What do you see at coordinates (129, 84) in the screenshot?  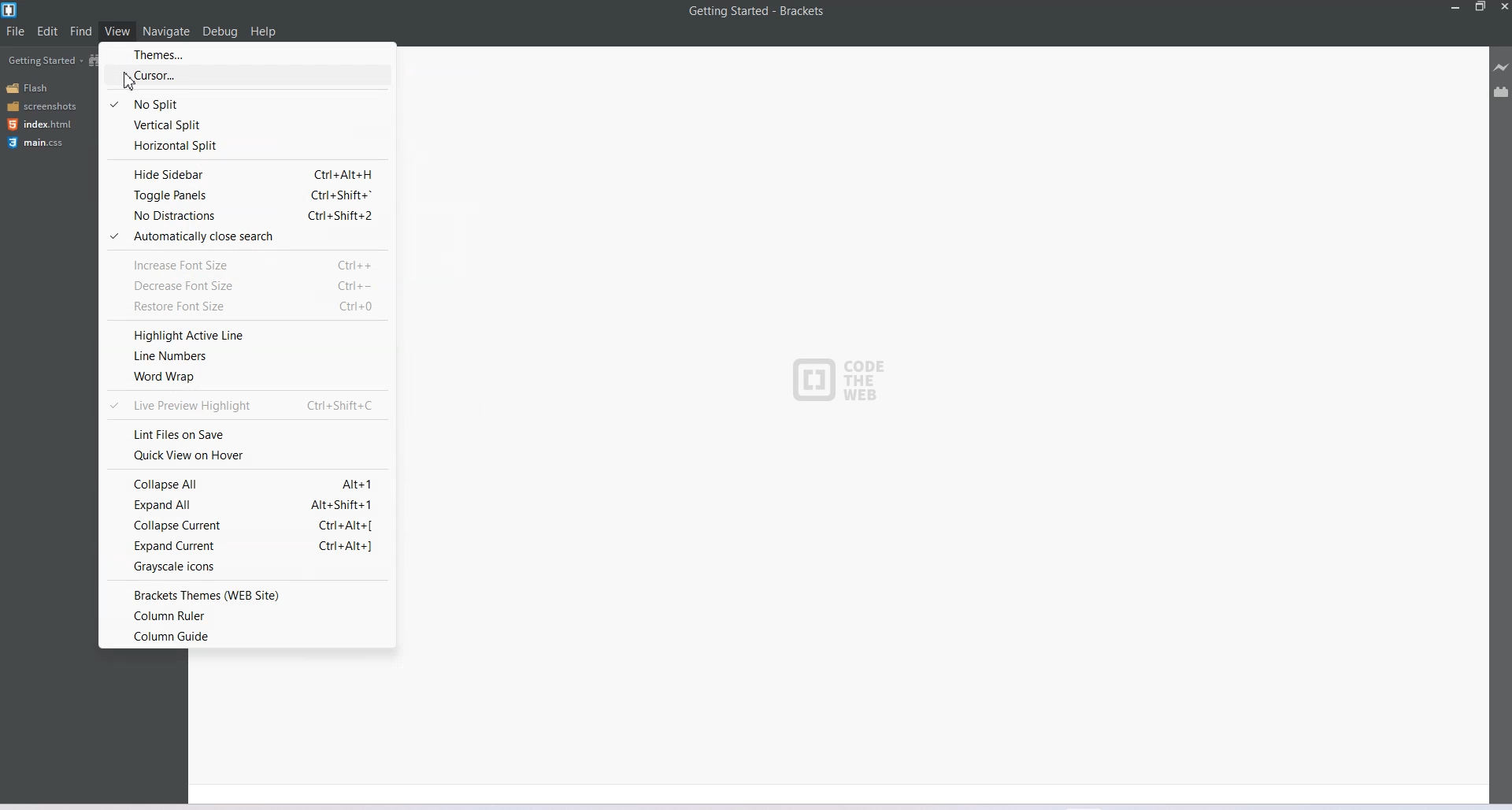 I see `Cursor` at bounding box center [129, 84].